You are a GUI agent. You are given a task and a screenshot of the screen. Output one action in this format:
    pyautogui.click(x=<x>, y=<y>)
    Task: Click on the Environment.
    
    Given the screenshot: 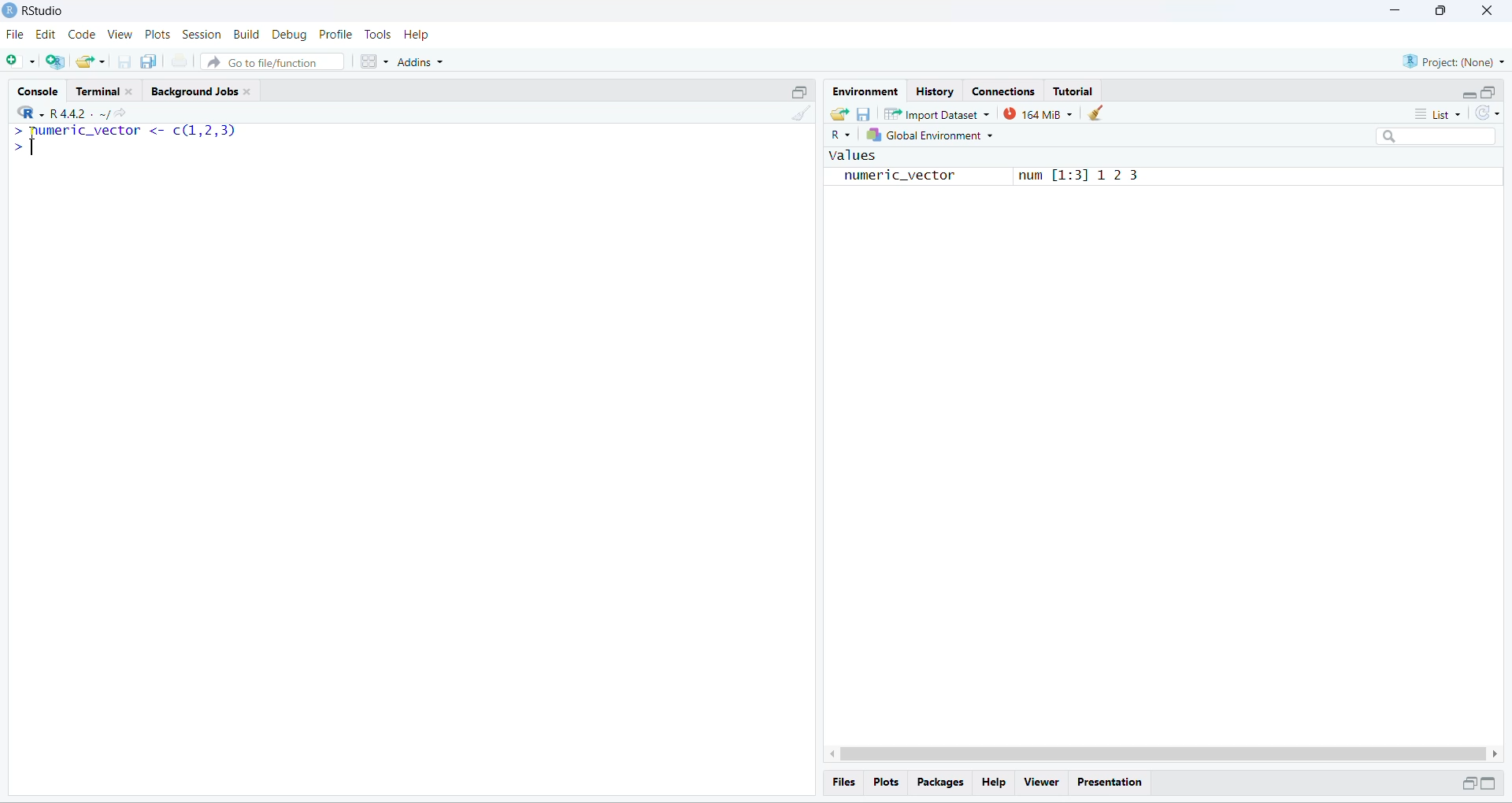 What is the action you would take?
    pyautogui.click(x=864, y=91)
    